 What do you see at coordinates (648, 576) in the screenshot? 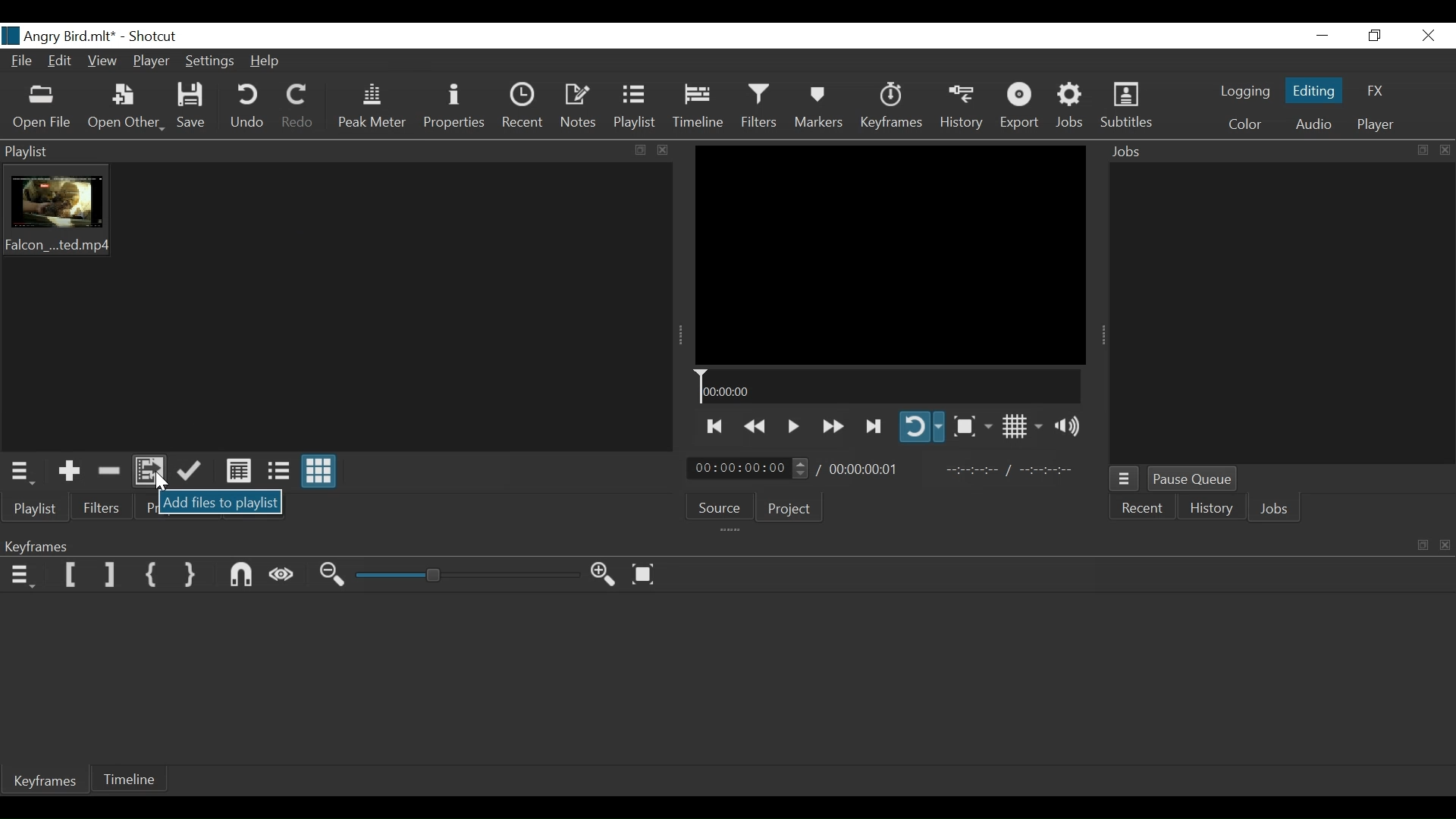
I see `Zoom Keyframe to fit` at bounding box center [648, 576].